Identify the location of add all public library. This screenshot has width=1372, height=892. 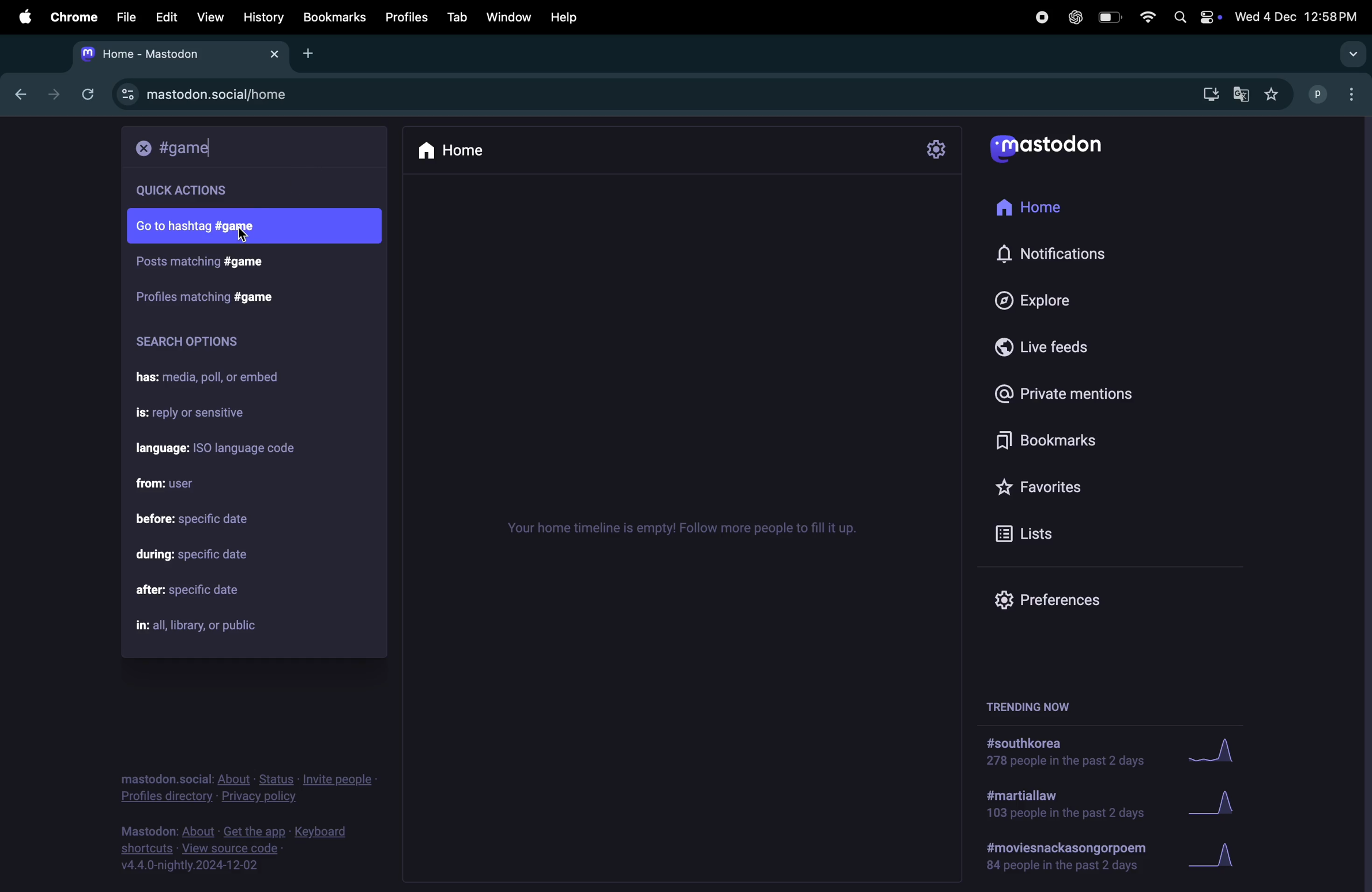
(207, 626).